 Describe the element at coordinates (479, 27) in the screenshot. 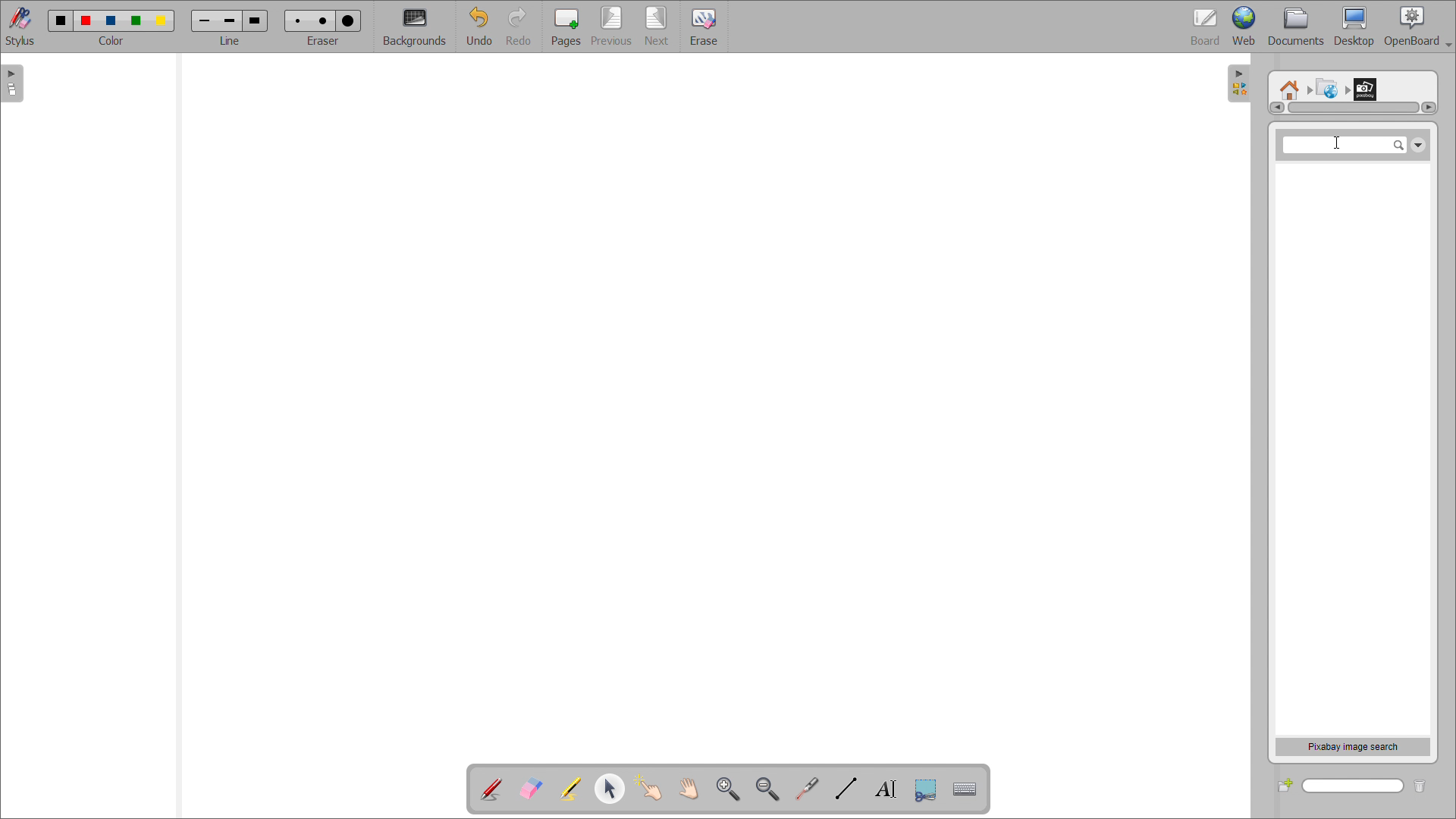

I see `undo` at that location.